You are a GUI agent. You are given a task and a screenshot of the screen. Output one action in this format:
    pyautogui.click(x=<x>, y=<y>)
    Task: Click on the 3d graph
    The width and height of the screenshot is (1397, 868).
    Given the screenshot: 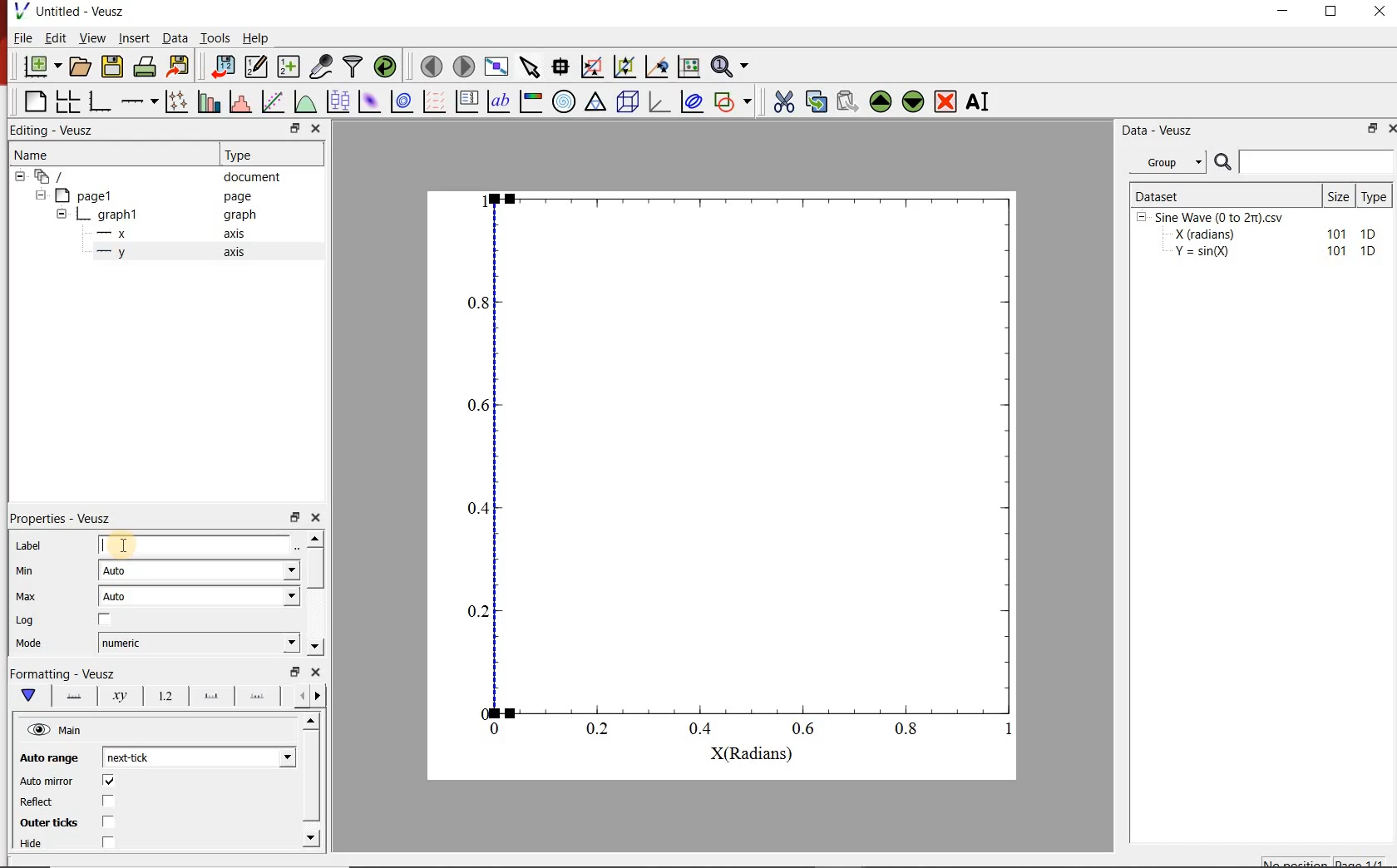 What is the action you would take?
    pyautogui.click(x=659, y=101)
    